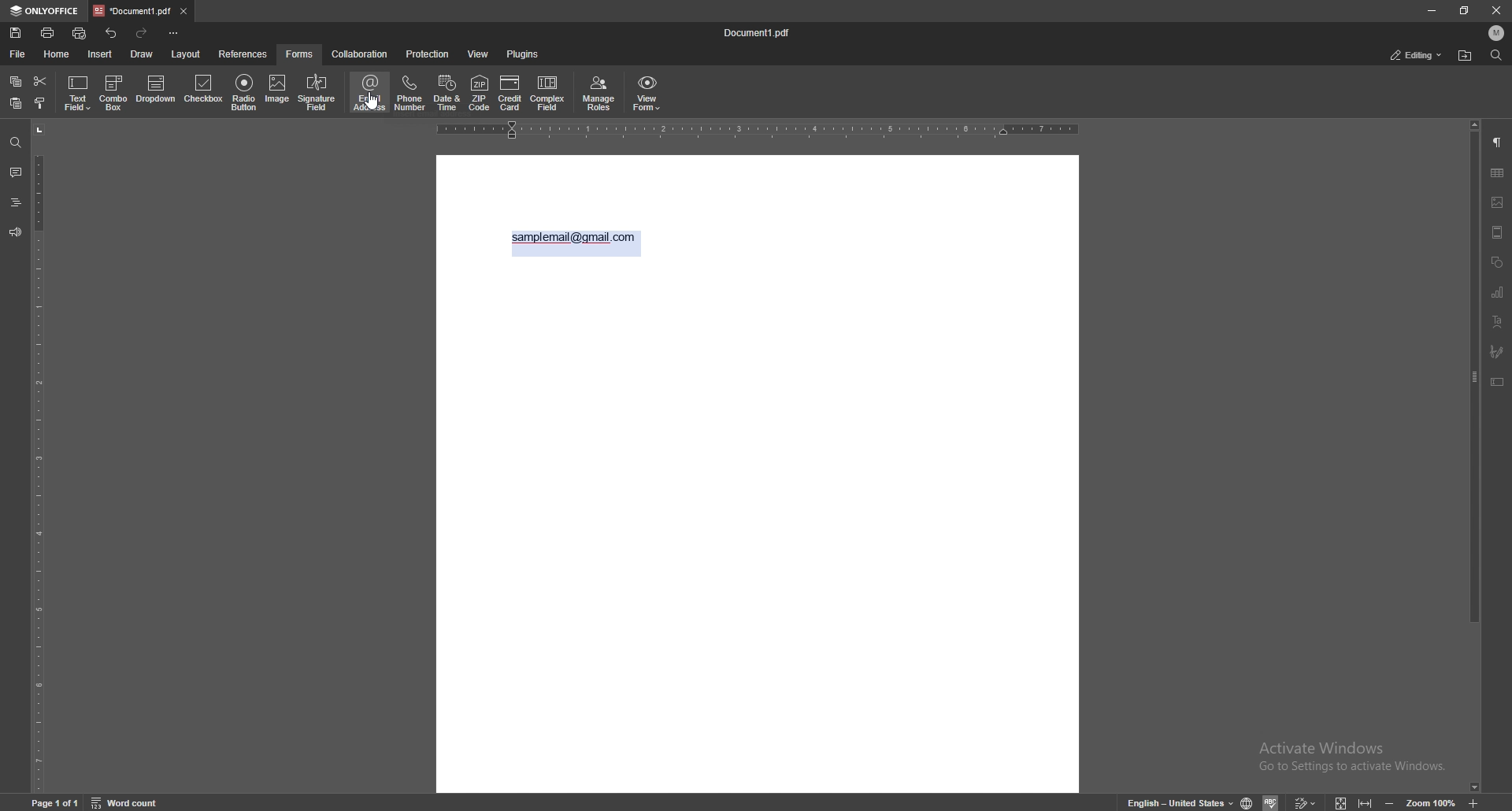 The height and width of the screenshot is (811, 1512). What do you see at coordinates (1498, 141) in the screenshot?
I see `paragraph` at bounding box center [1498, 141].